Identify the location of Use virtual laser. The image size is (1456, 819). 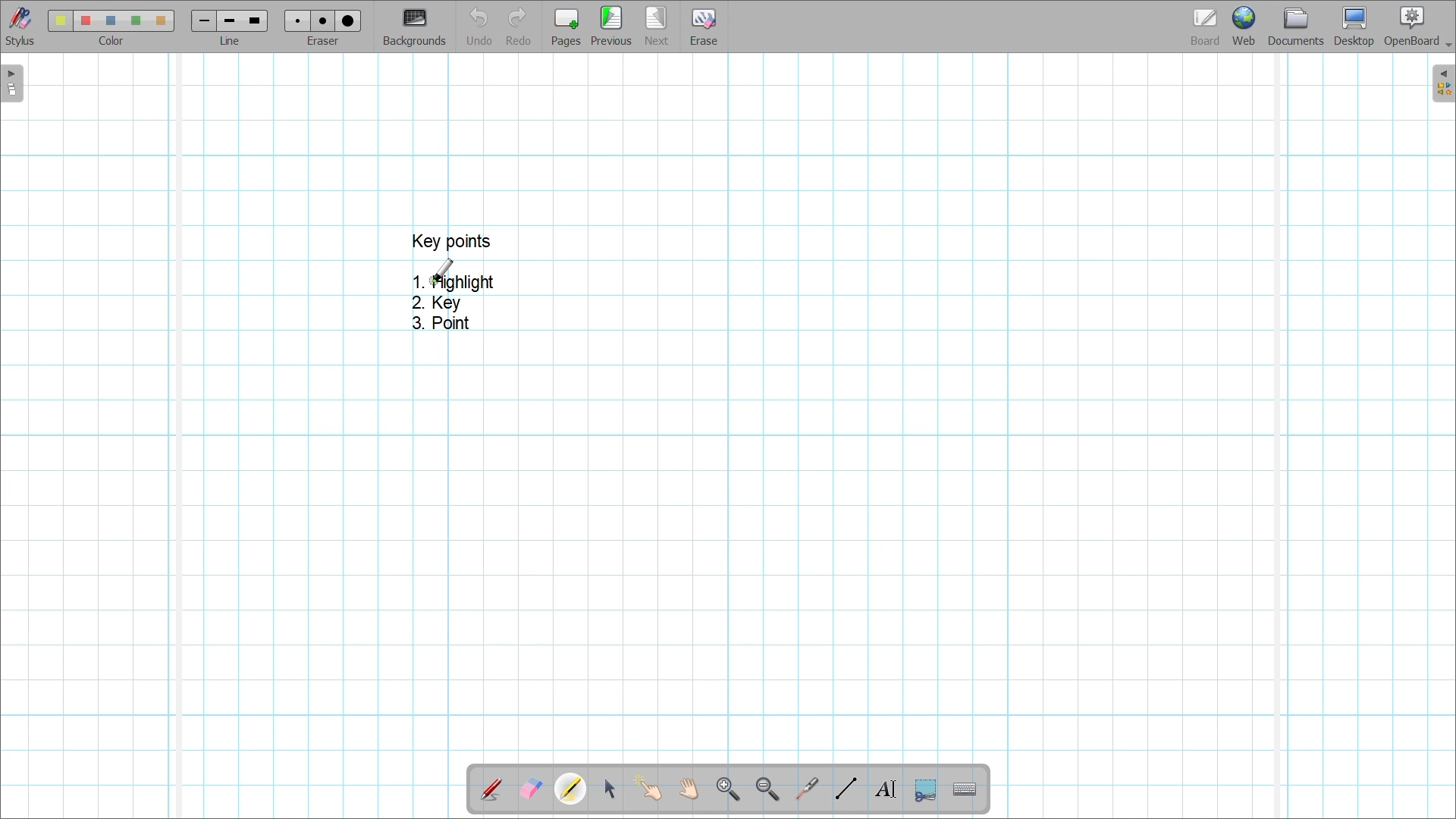
(806, 789).